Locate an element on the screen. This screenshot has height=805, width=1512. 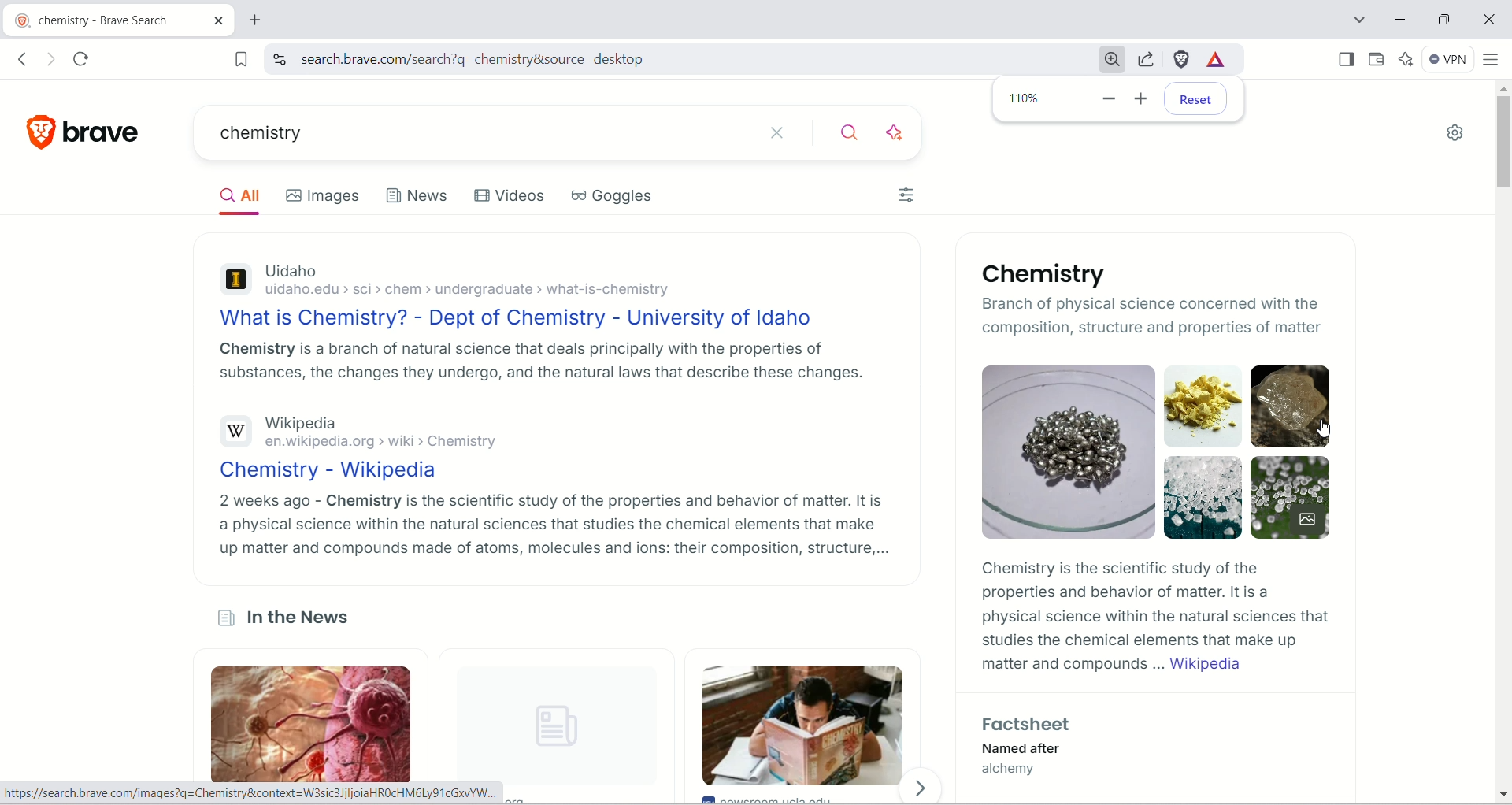
Uidaho is located at coordinates (293, 269).